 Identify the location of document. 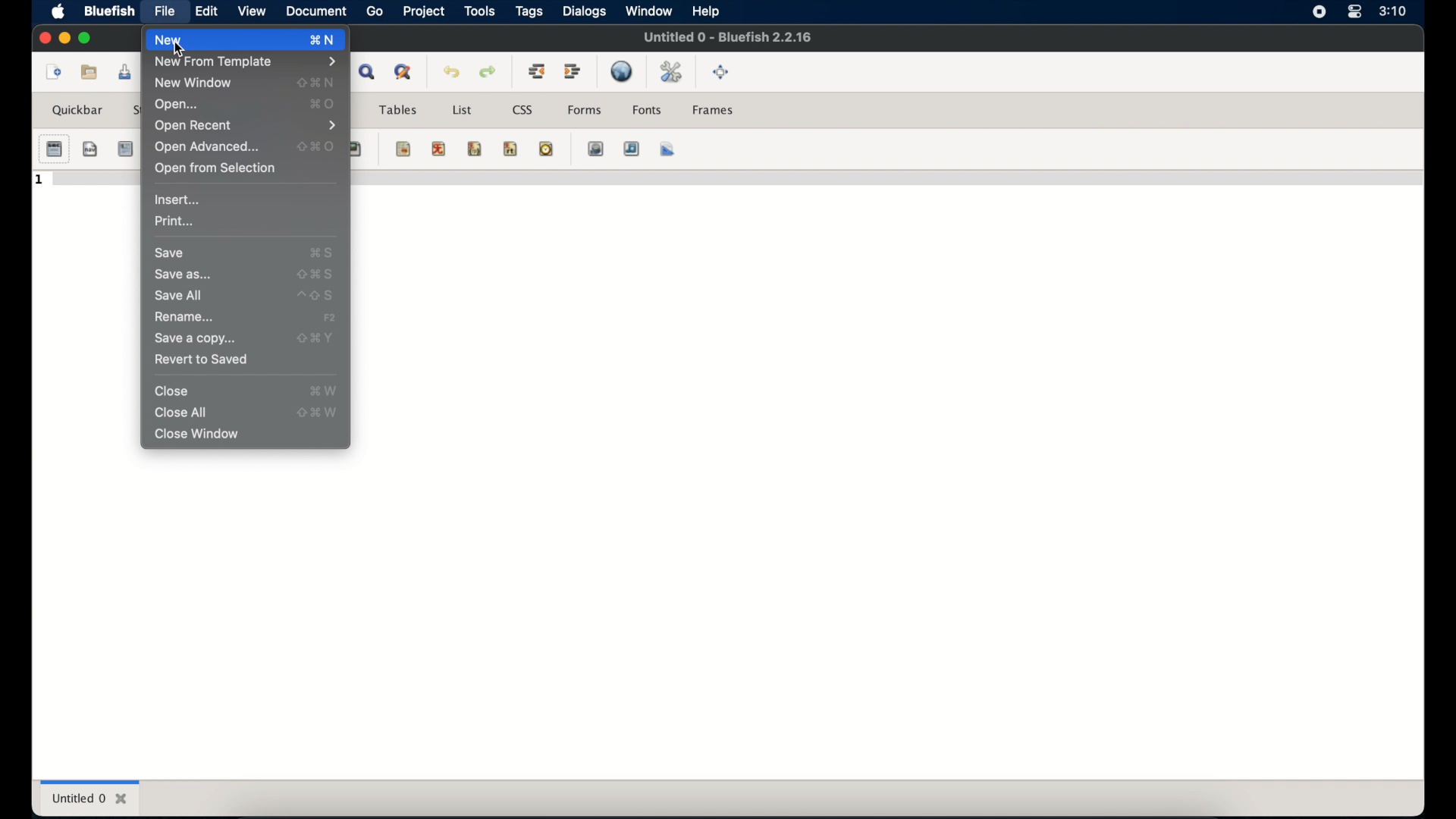
(315, 12).